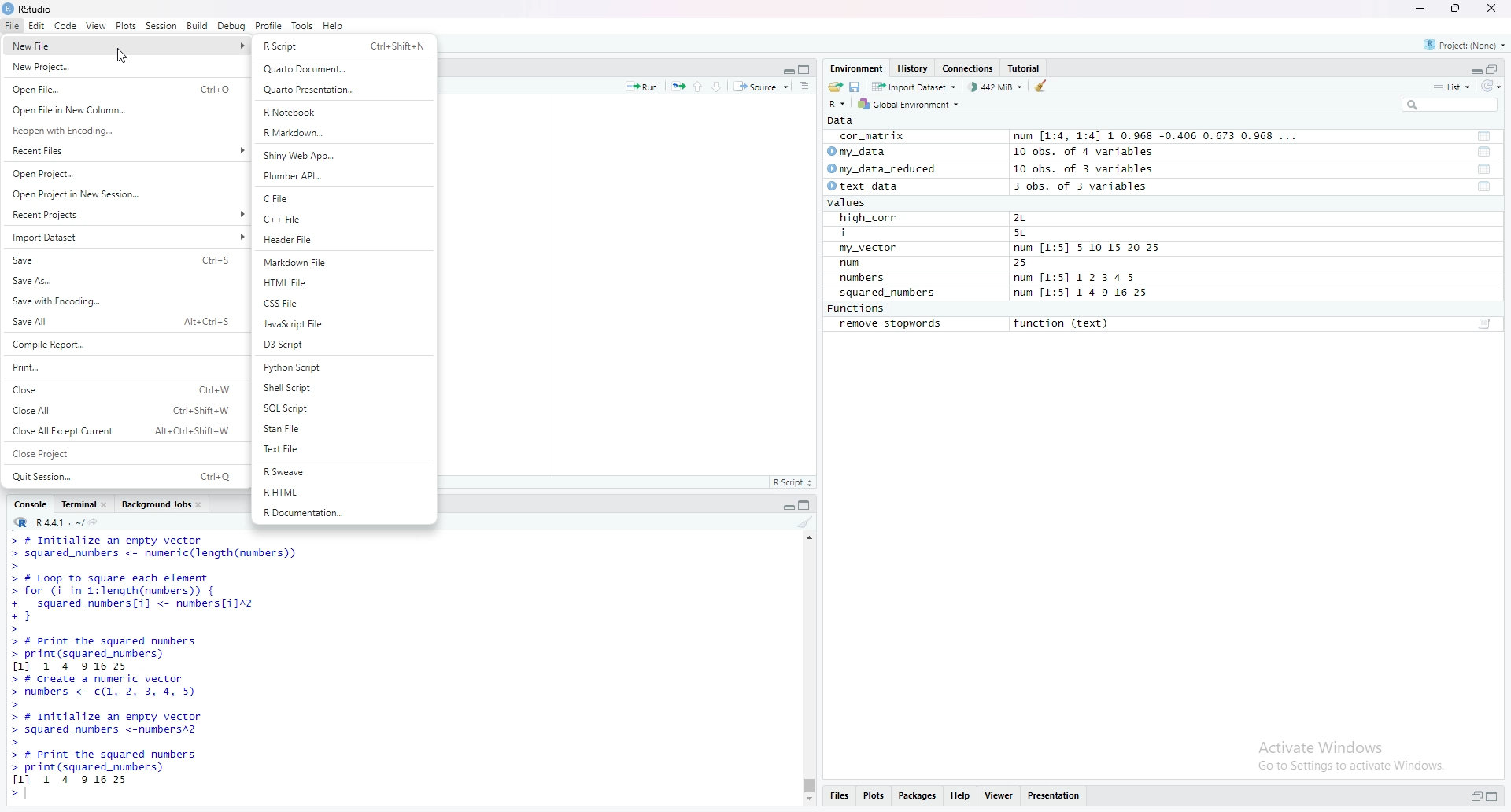 Image resolution: width=1511 pixels, height=812 pixels. I want to click on 3 obs. of 3 variables, so click(1095, 186).